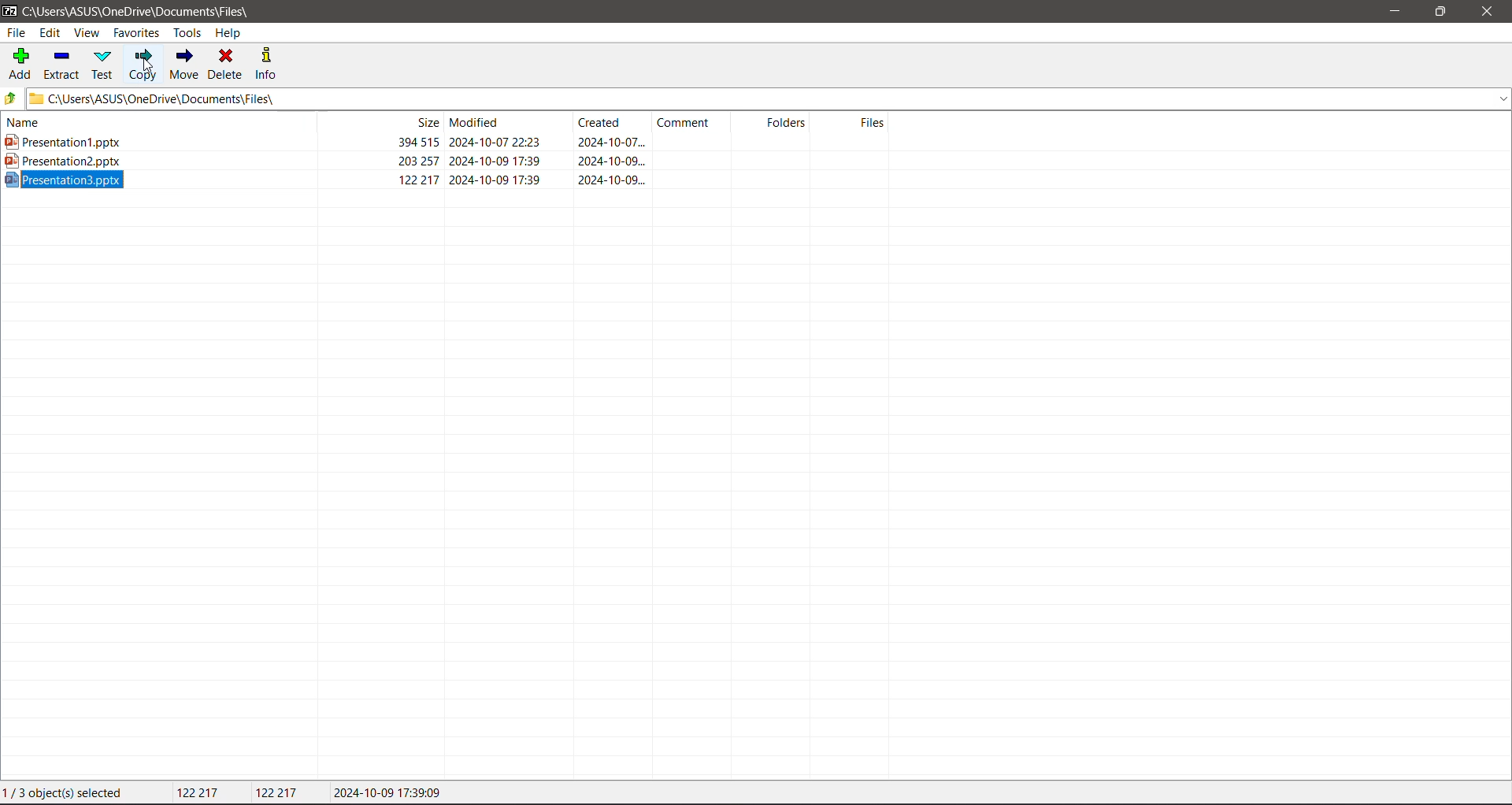 The height and width of the screenshot is (805, 1512). Describe the element at coordinates (509, 122) in the screenshot. I see `Modified Date` at that location.